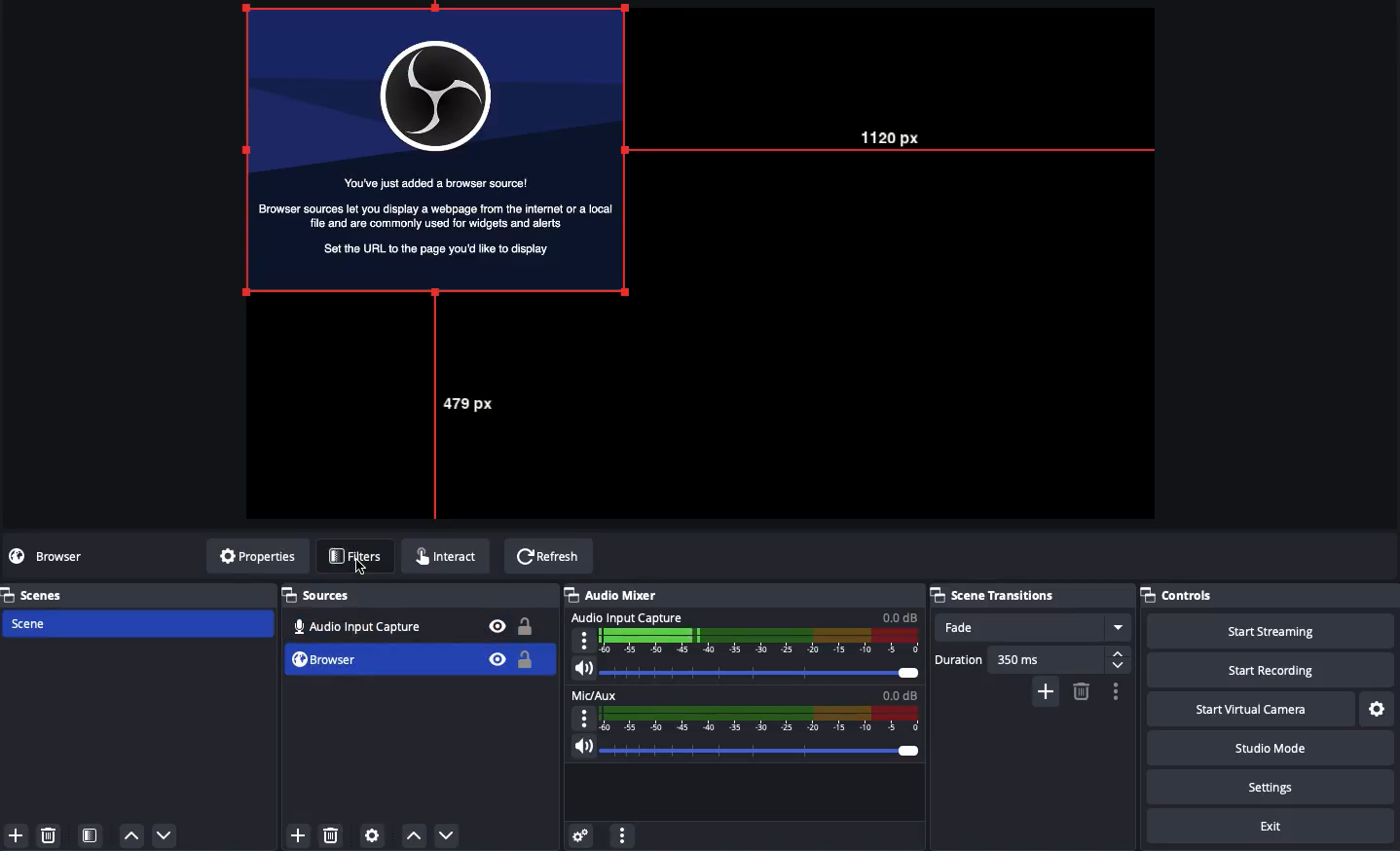 This screenshot has height=851, width=1400. Describe the element at coordinates (294, 832) in the screenshot. I see `Add` at that location.